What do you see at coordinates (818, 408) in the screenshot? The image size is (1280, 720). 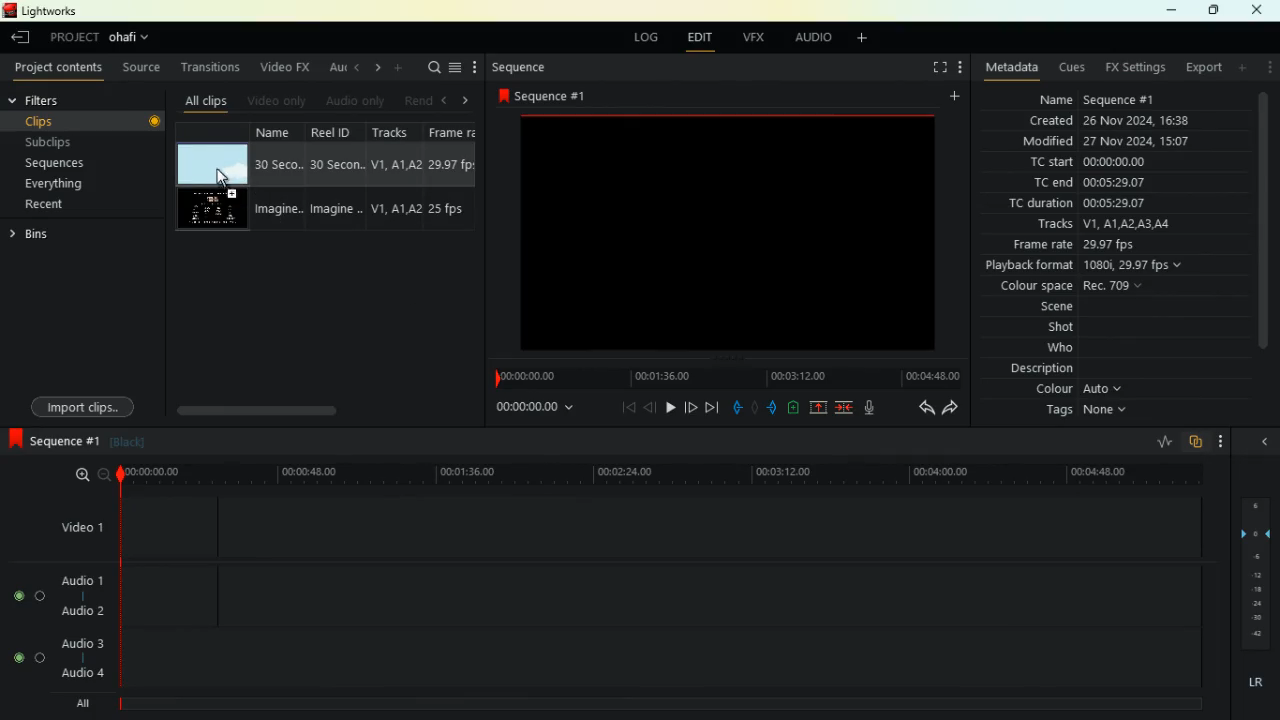 I see `up` at bounding box center [818, 408].